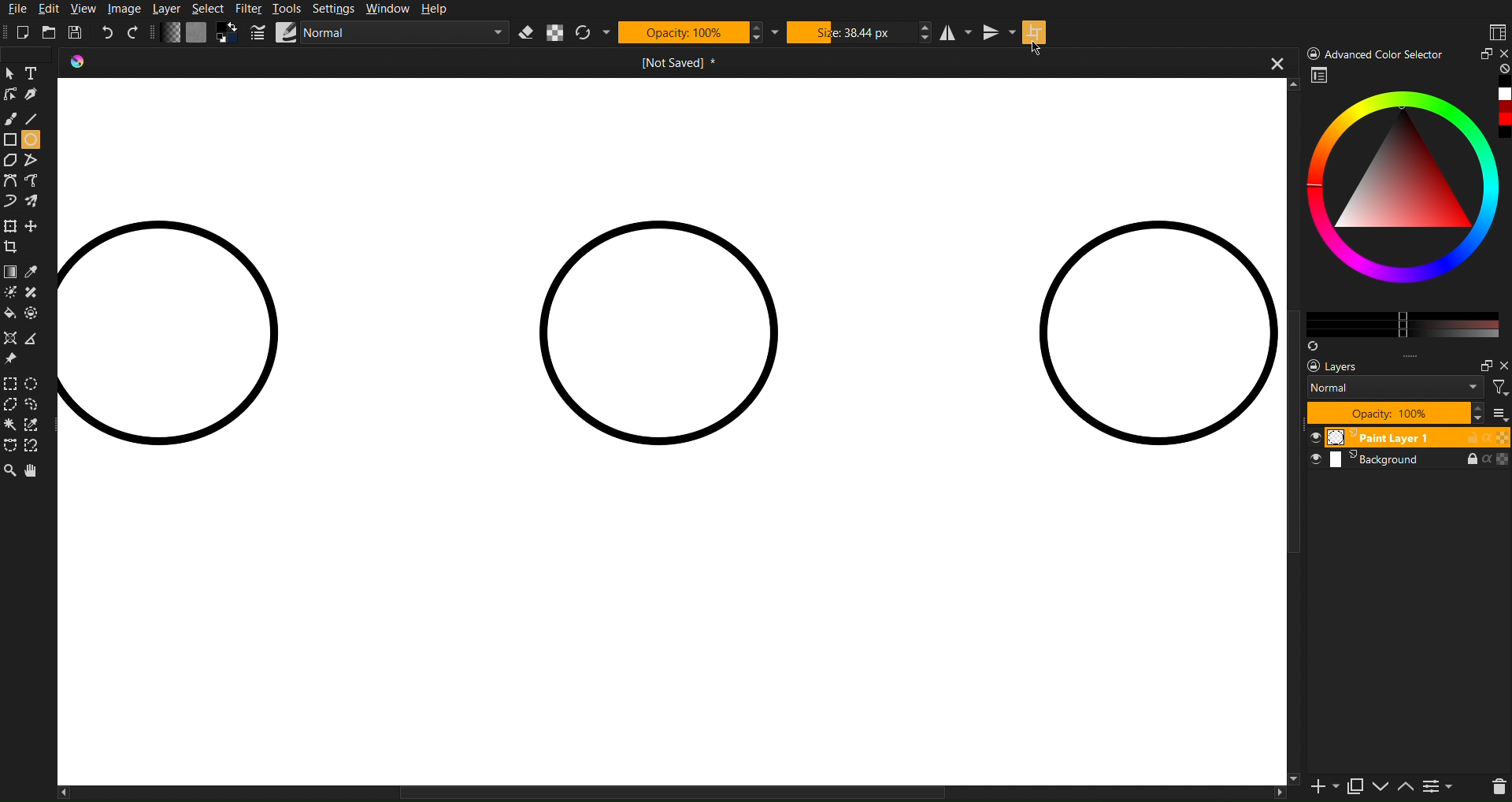  Describe the element at coordinates (13, 358) in the screenshot. I see `Pin` at that location.